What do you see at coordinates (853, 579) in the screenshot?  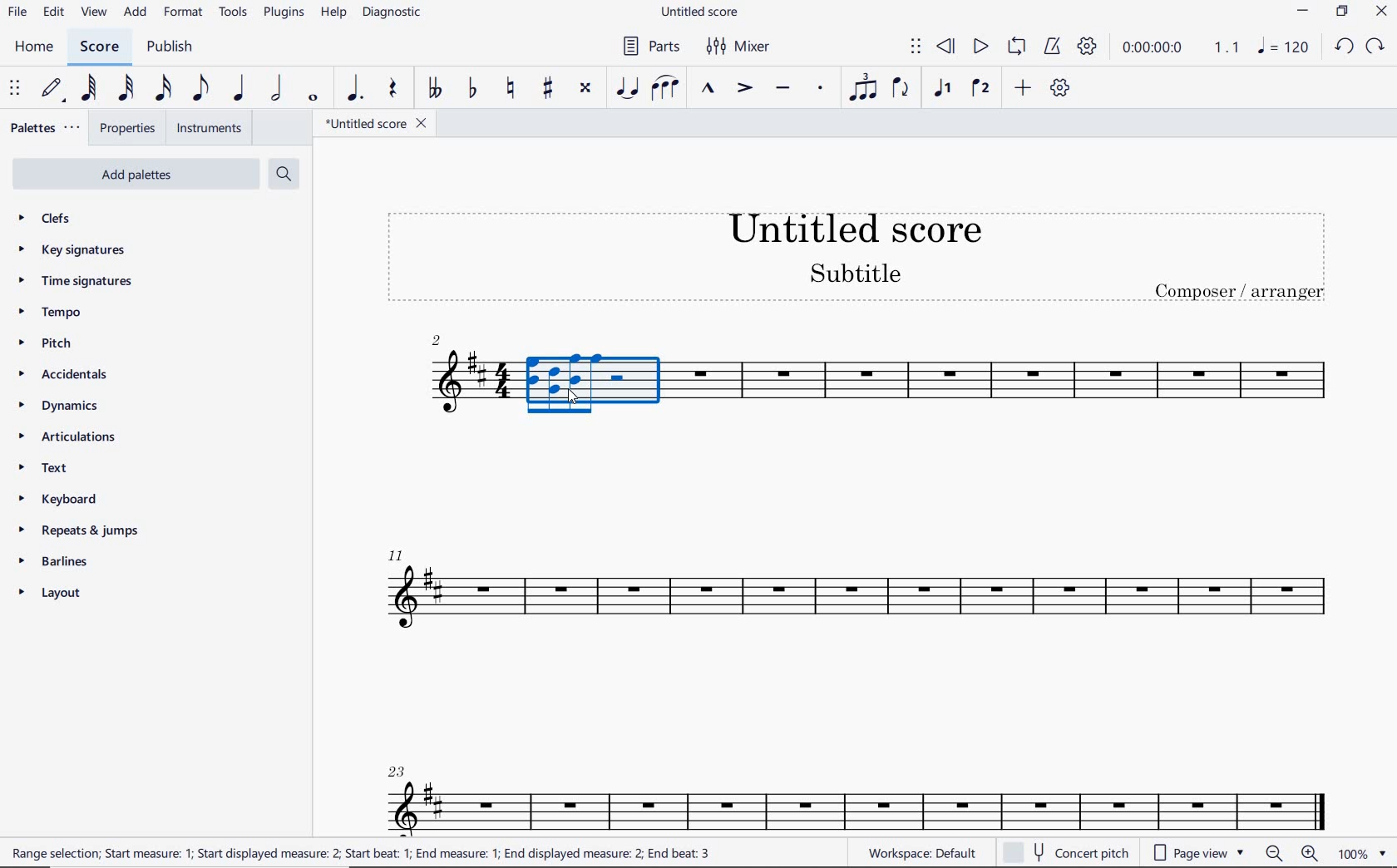 I see `INSTRUMENT: TENOR SAXOPHONE` at bounding box center [853, 579].